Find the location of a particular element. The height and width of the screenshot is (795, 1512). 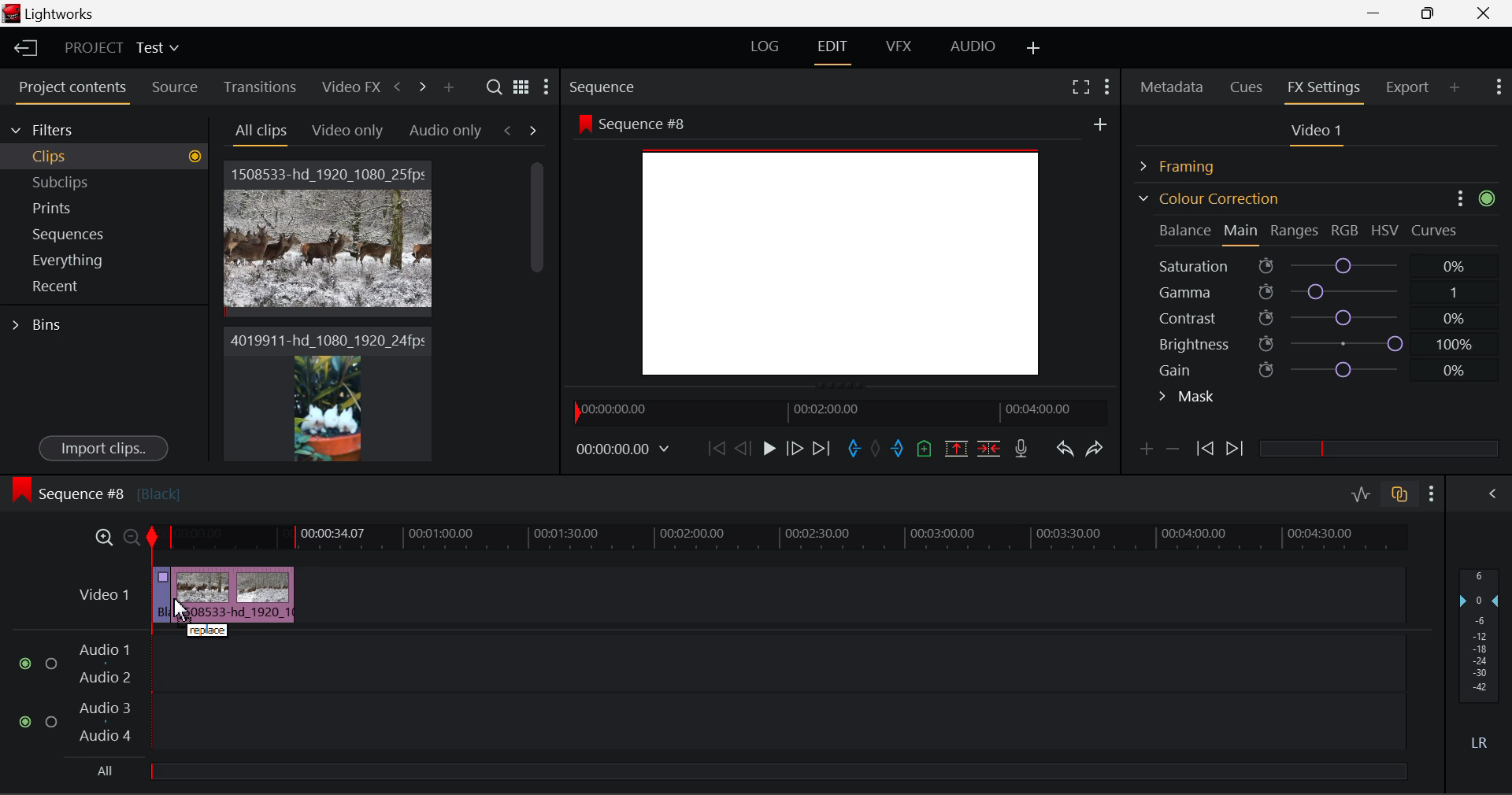

Show Audio Mix is located at coordinates (1494, 492).